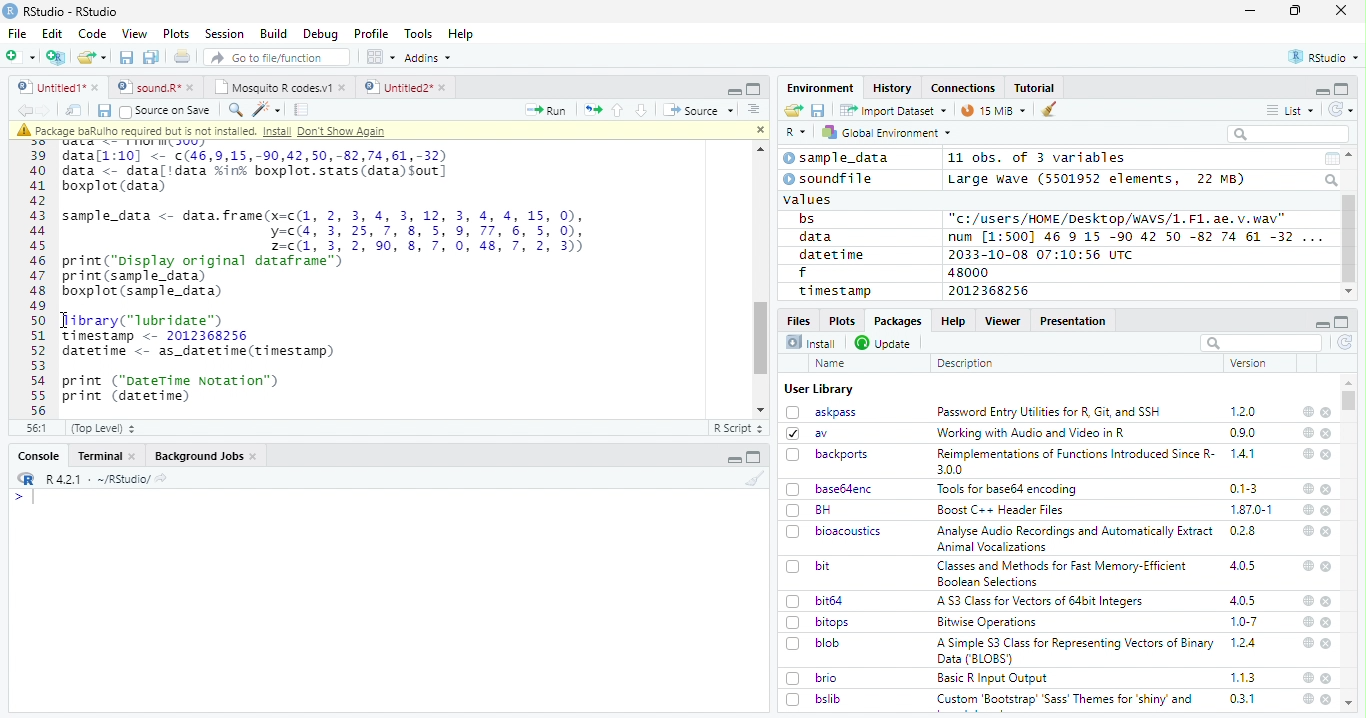 The height and width of the screenshot is (718, 1366). What do you see at coordinates (1252, 363) in the screenshot?
I see `Version` at bounding box center [1252, 363].